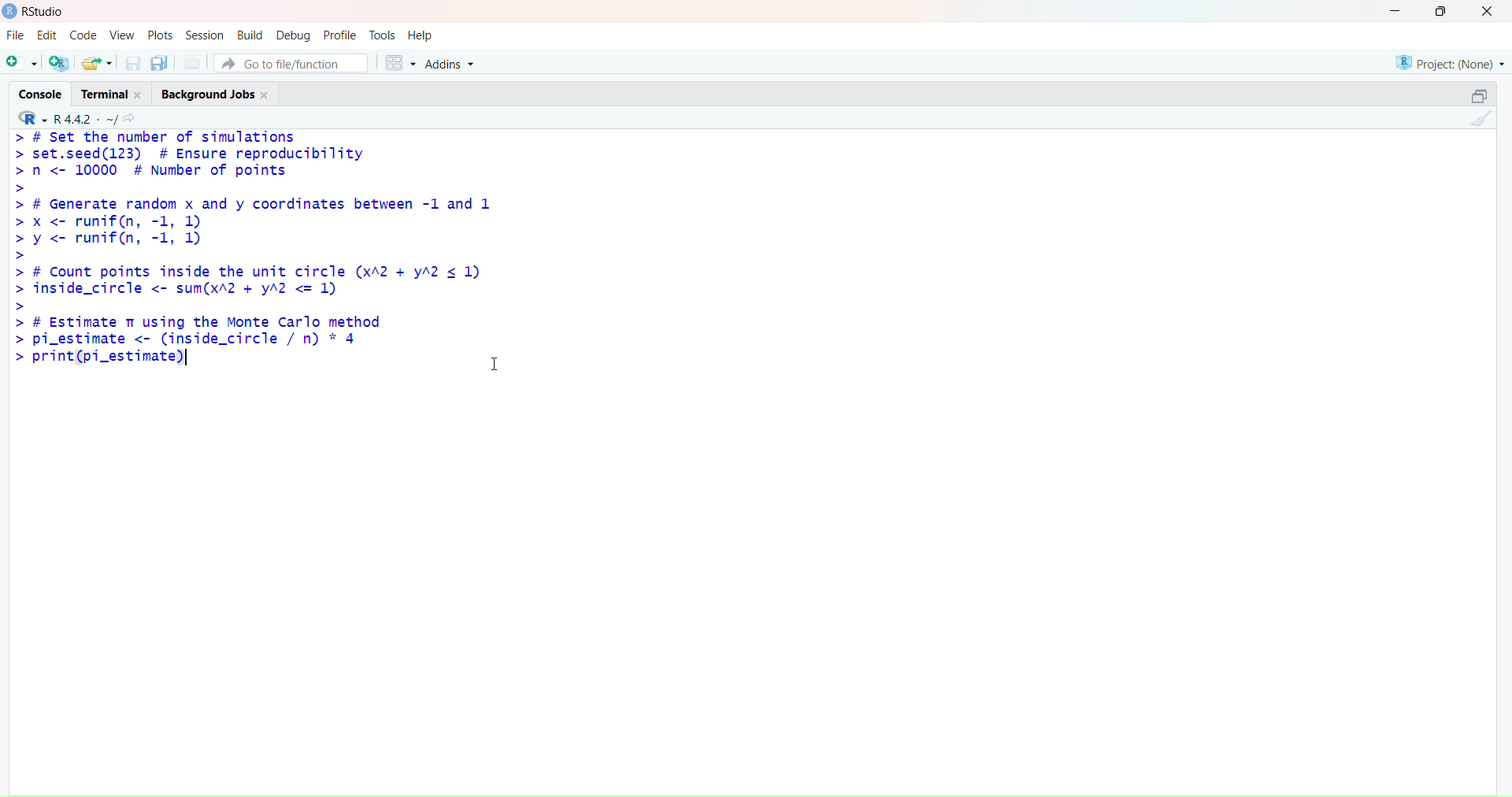  Describe the element at coordinates (161, 34) in the screenshot. I see `Plots` at that location.